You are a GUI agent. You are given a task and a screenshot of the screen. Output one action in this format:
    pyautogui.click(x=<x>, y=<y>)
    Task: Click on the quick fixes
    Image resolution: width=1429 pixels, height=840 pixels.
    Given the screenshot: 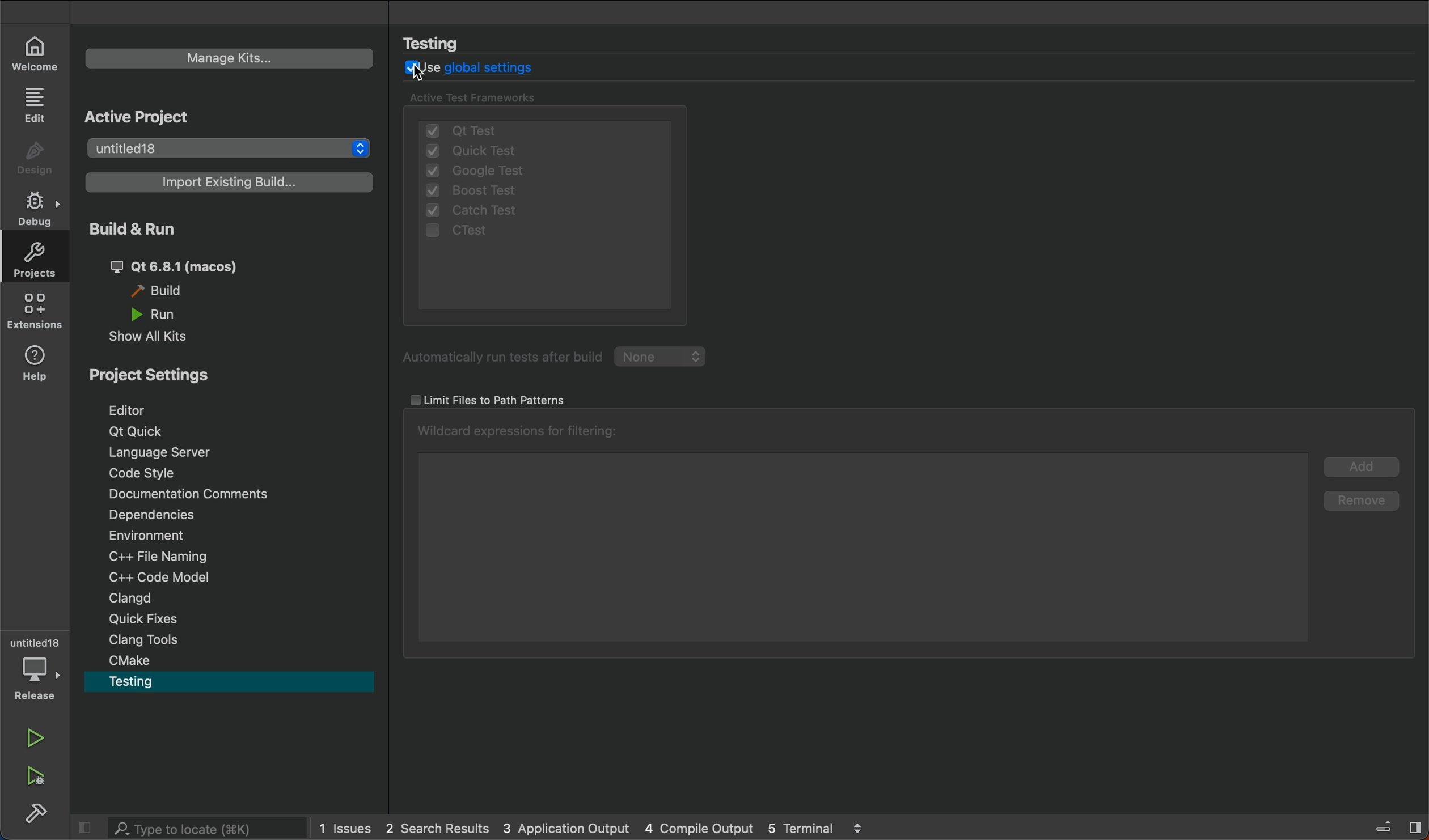 What is the action you would take?
    pyautogui.click(x=232, y=618)
    